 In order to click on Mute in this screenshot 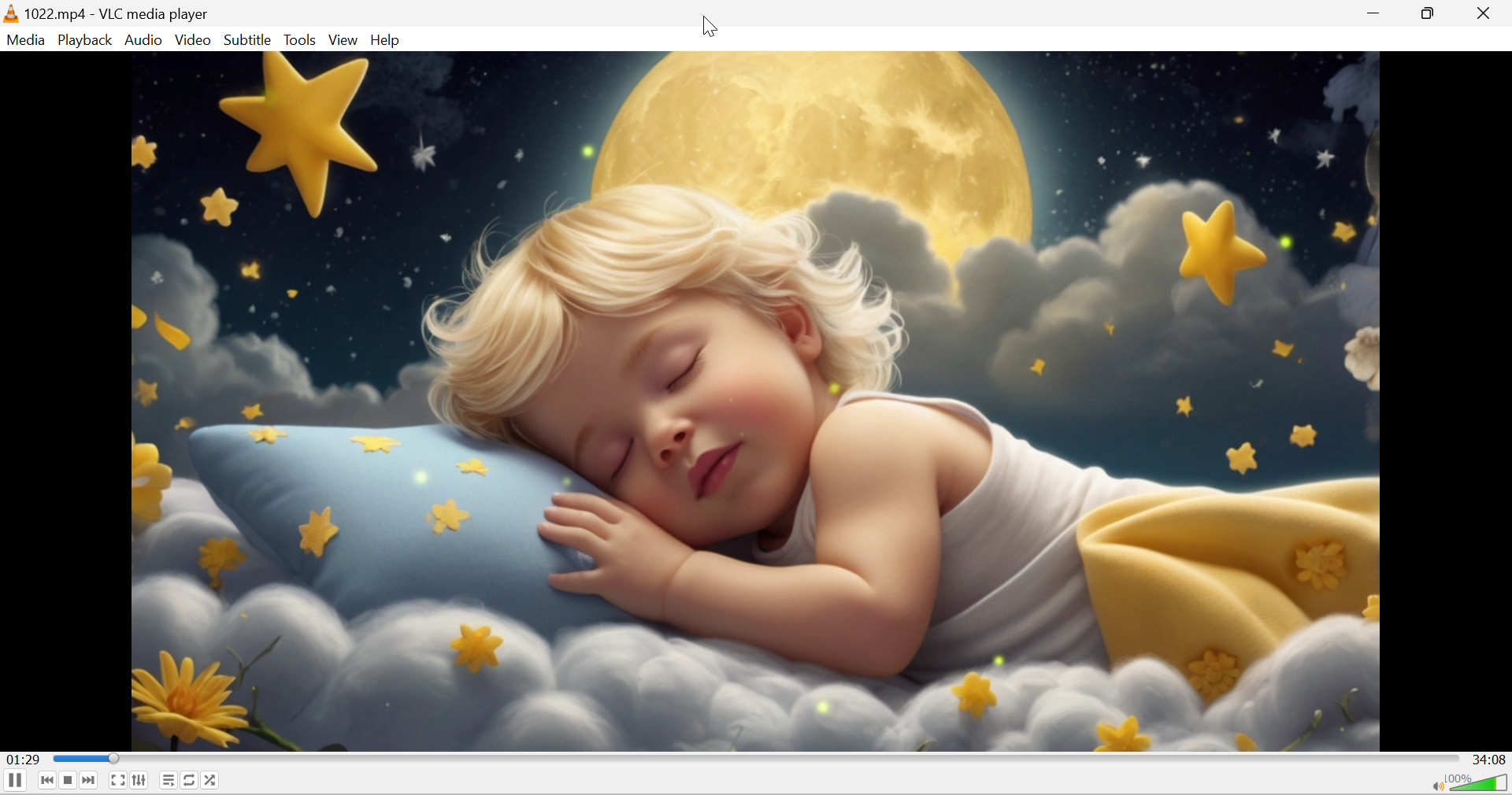, I will do `click(1436, 786)`.